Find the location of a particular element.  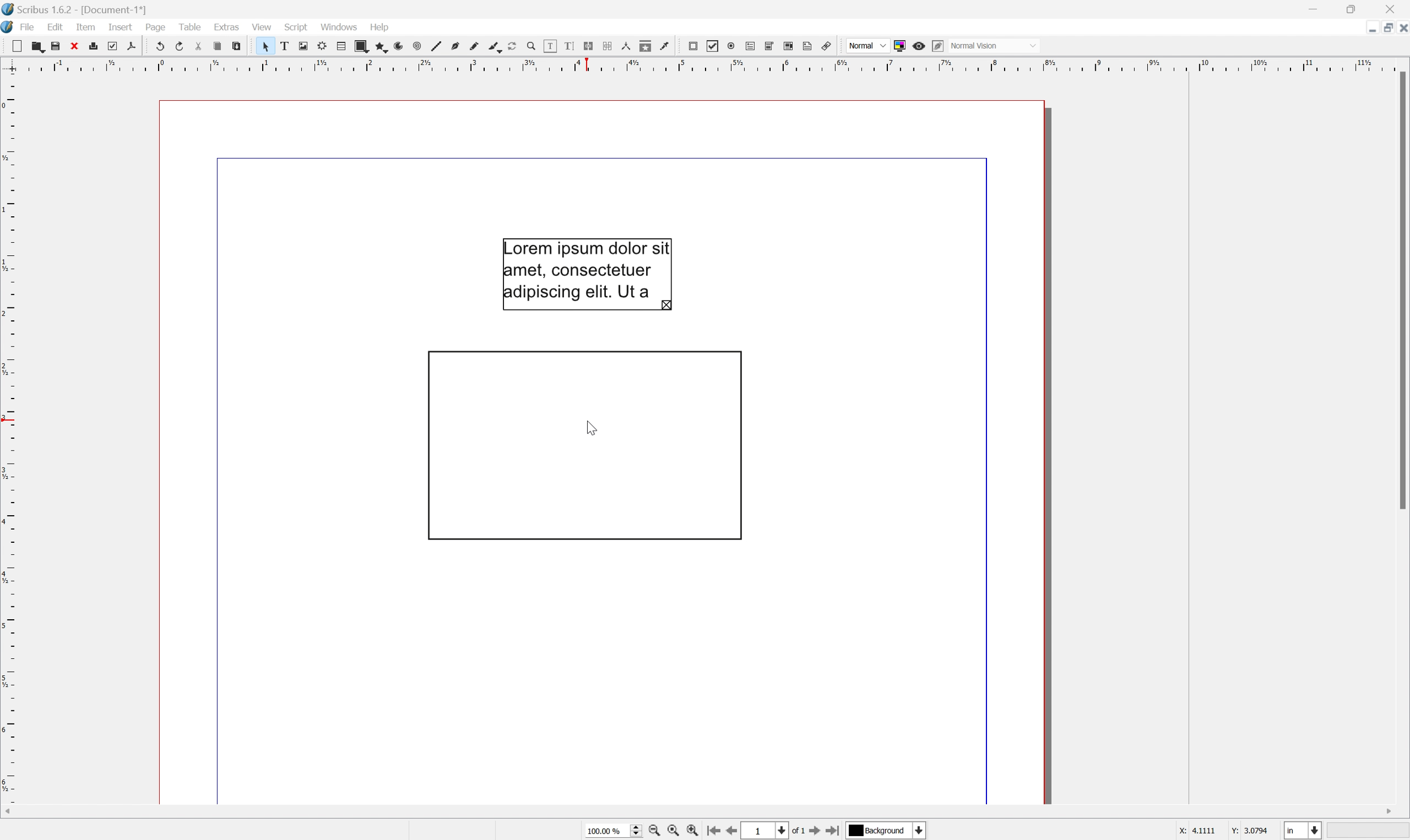

Item is located at coordinates (87, 27).